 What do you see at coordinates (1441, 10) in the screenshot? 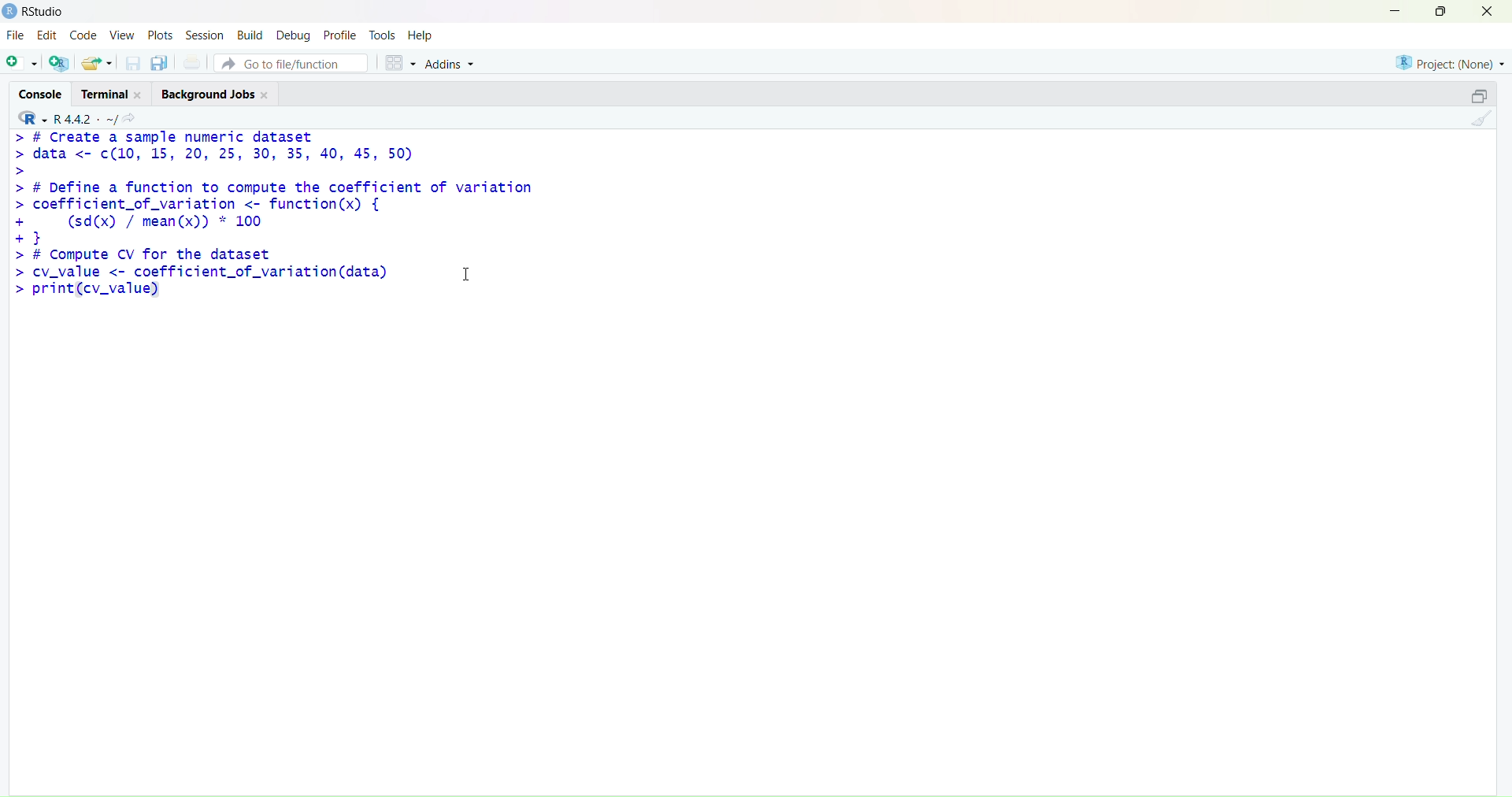
I see `maximise` at bounding box center [1441, 10].